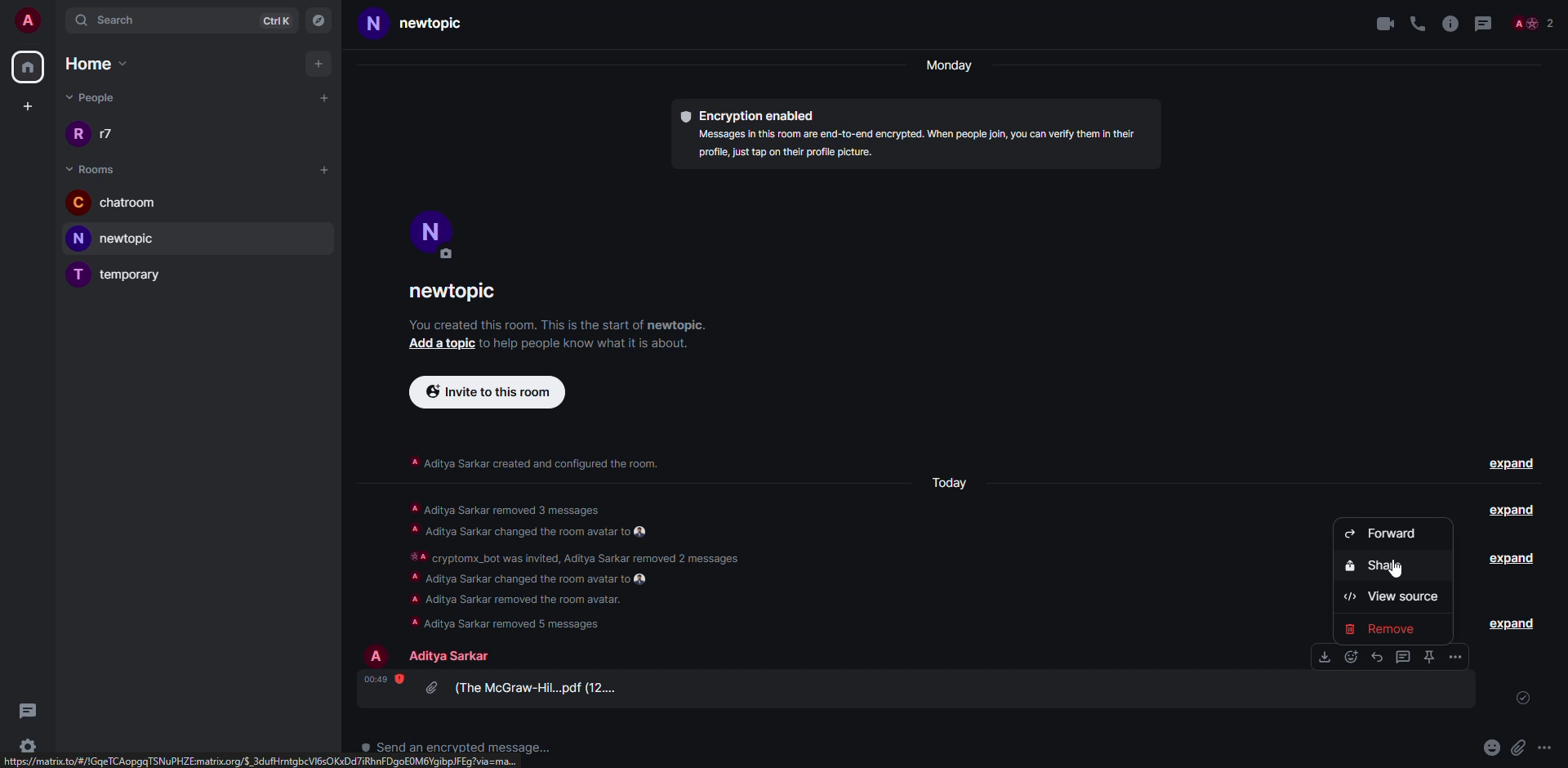 Image resolution: width=1568 pixels, height=768 pixels. What do you see at coordinates (1518, 747) in the screenshot?
I see `attach` at bounding box center [1518, 747].